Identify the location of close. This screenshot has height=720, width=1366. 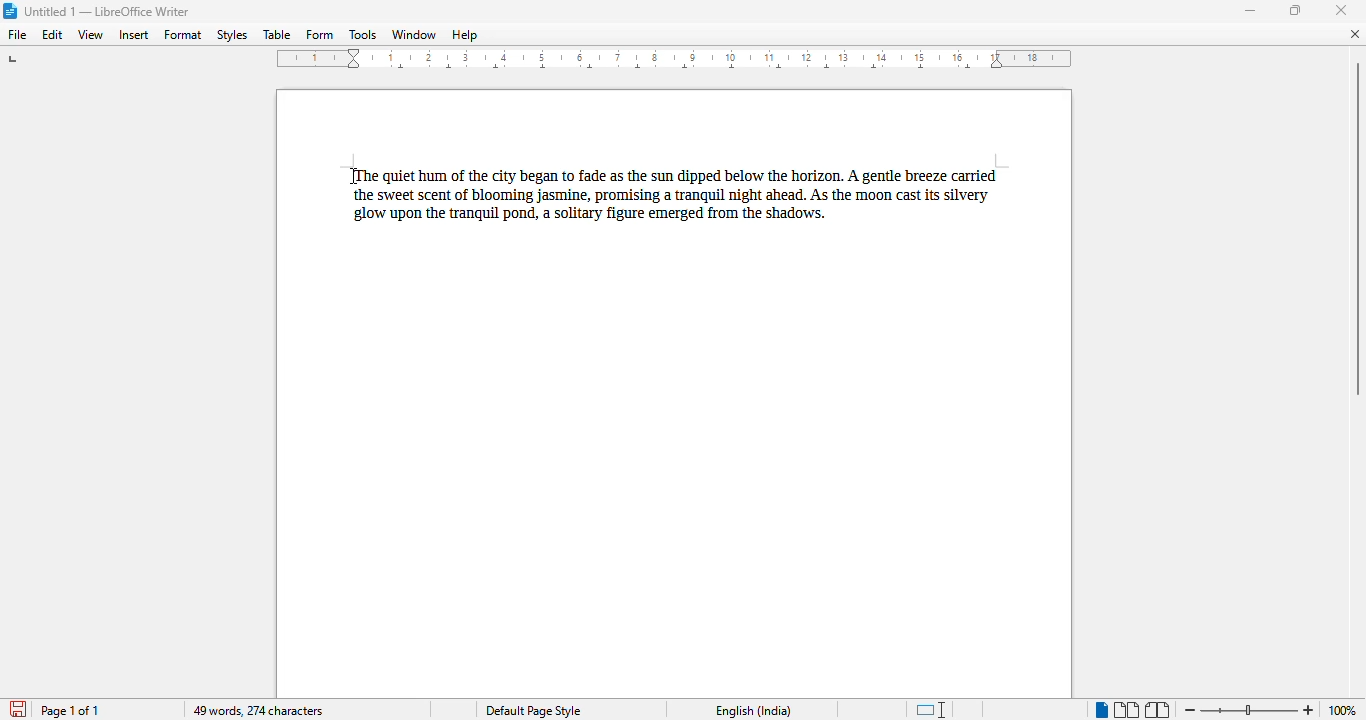
(1341, 9).